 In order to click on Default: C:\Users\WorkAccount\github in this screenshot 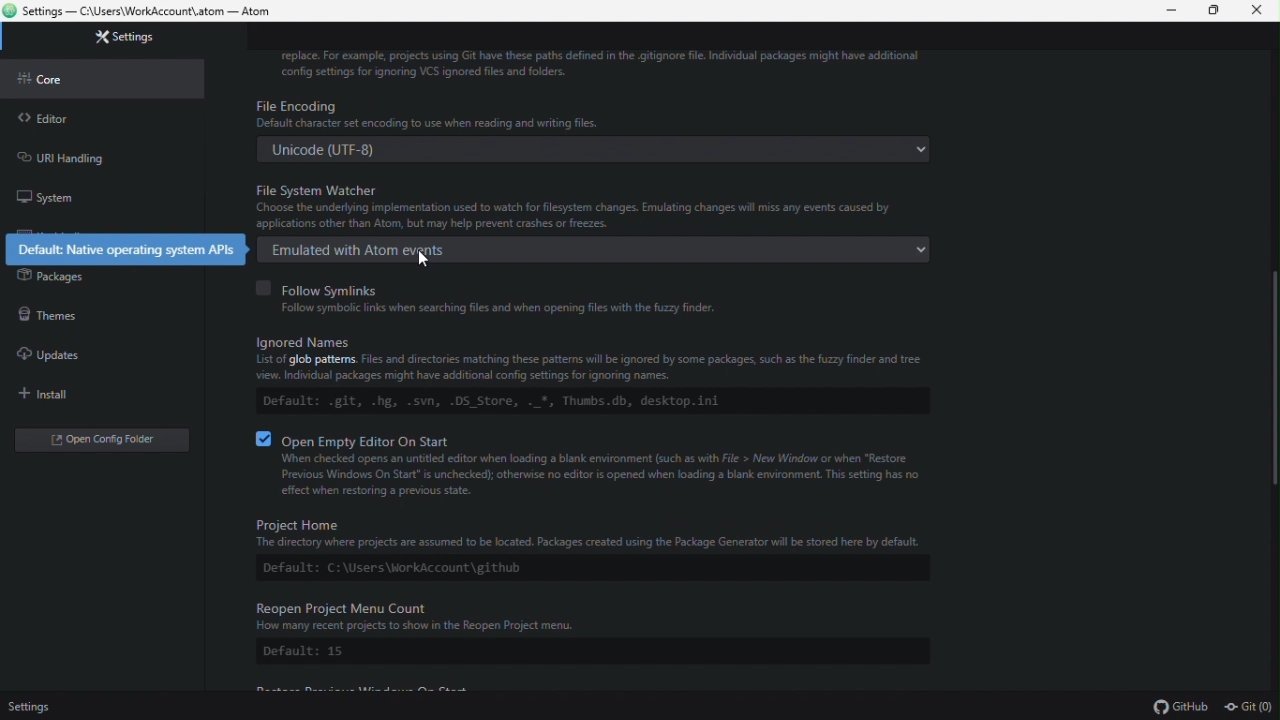, I will do `click(567, 567)`.